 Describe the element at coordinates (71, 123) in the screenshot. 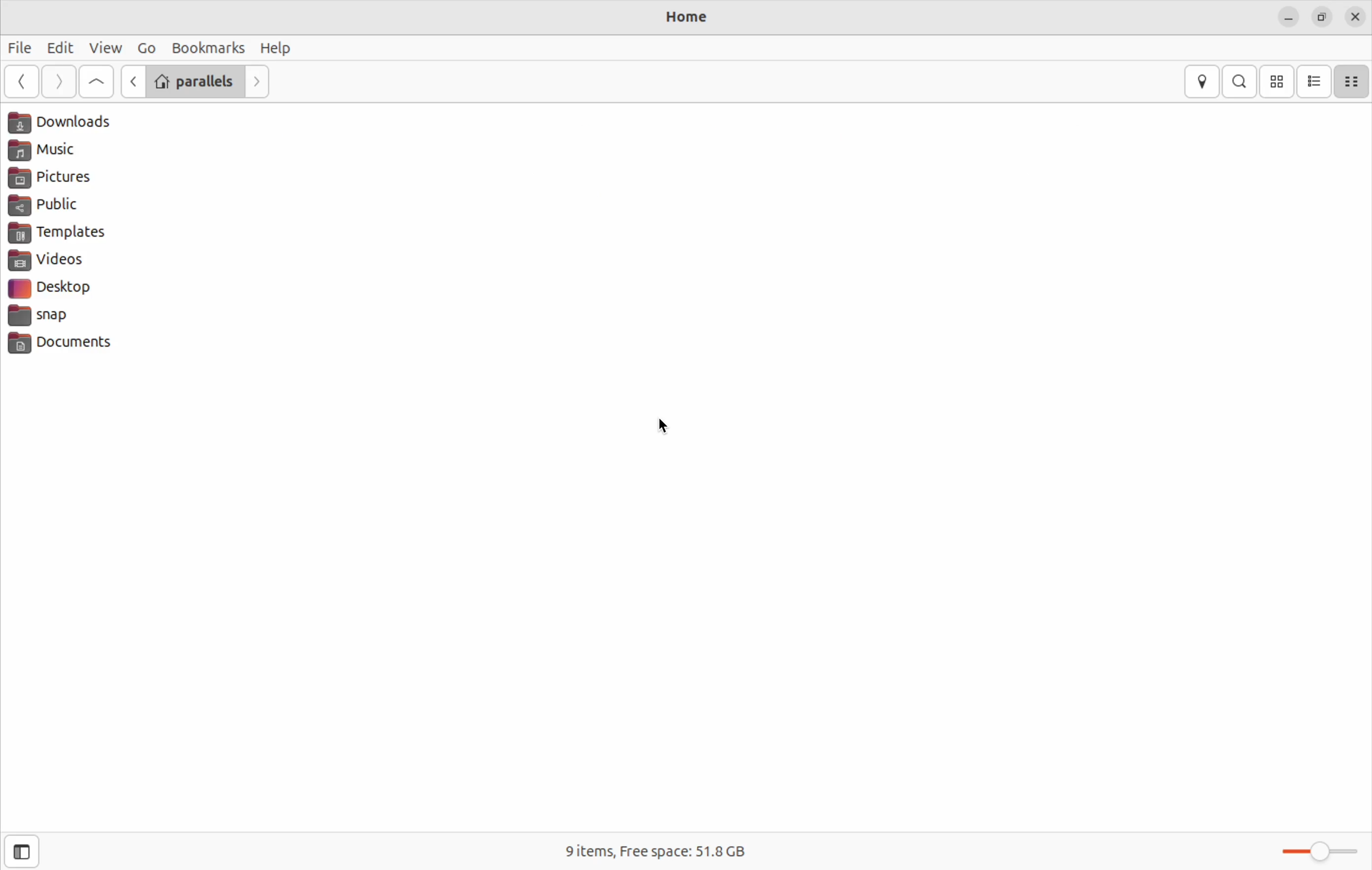

I see `downloads` at that location.